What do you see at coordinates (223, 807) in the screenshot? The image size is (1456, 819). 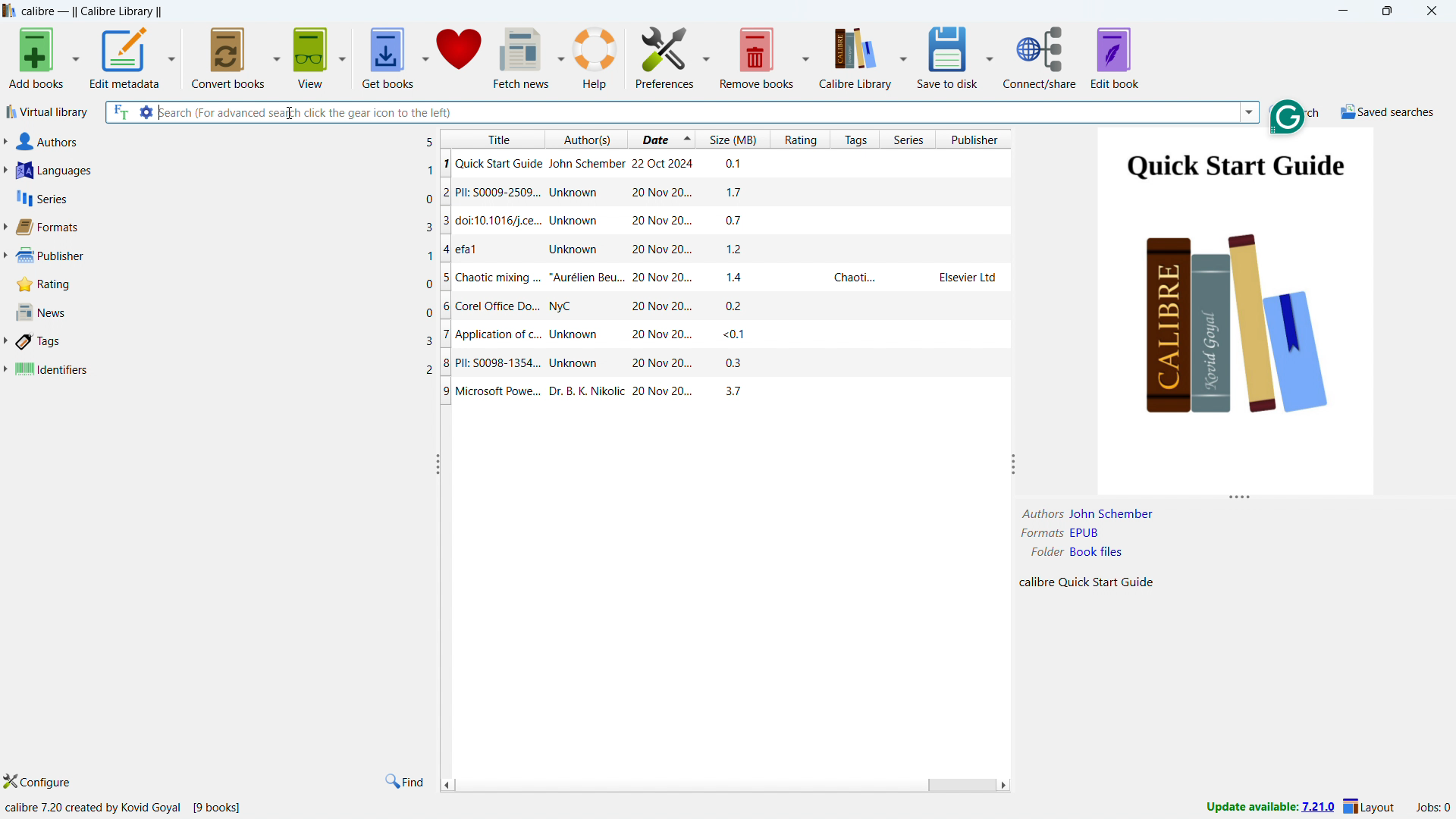 I see `[9 books]` at bounding box center [223, 807].